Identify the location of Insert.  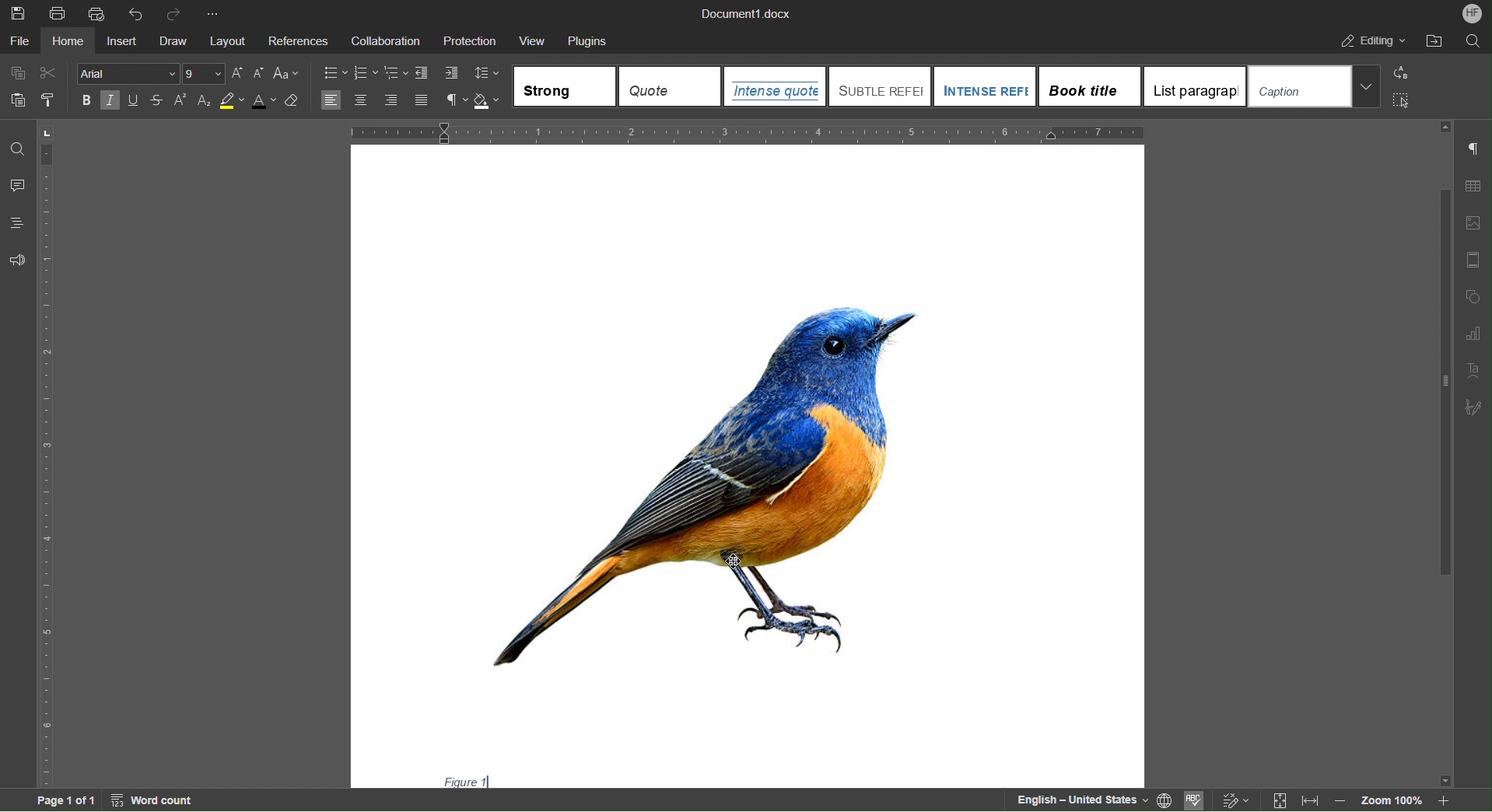
(119, 43).